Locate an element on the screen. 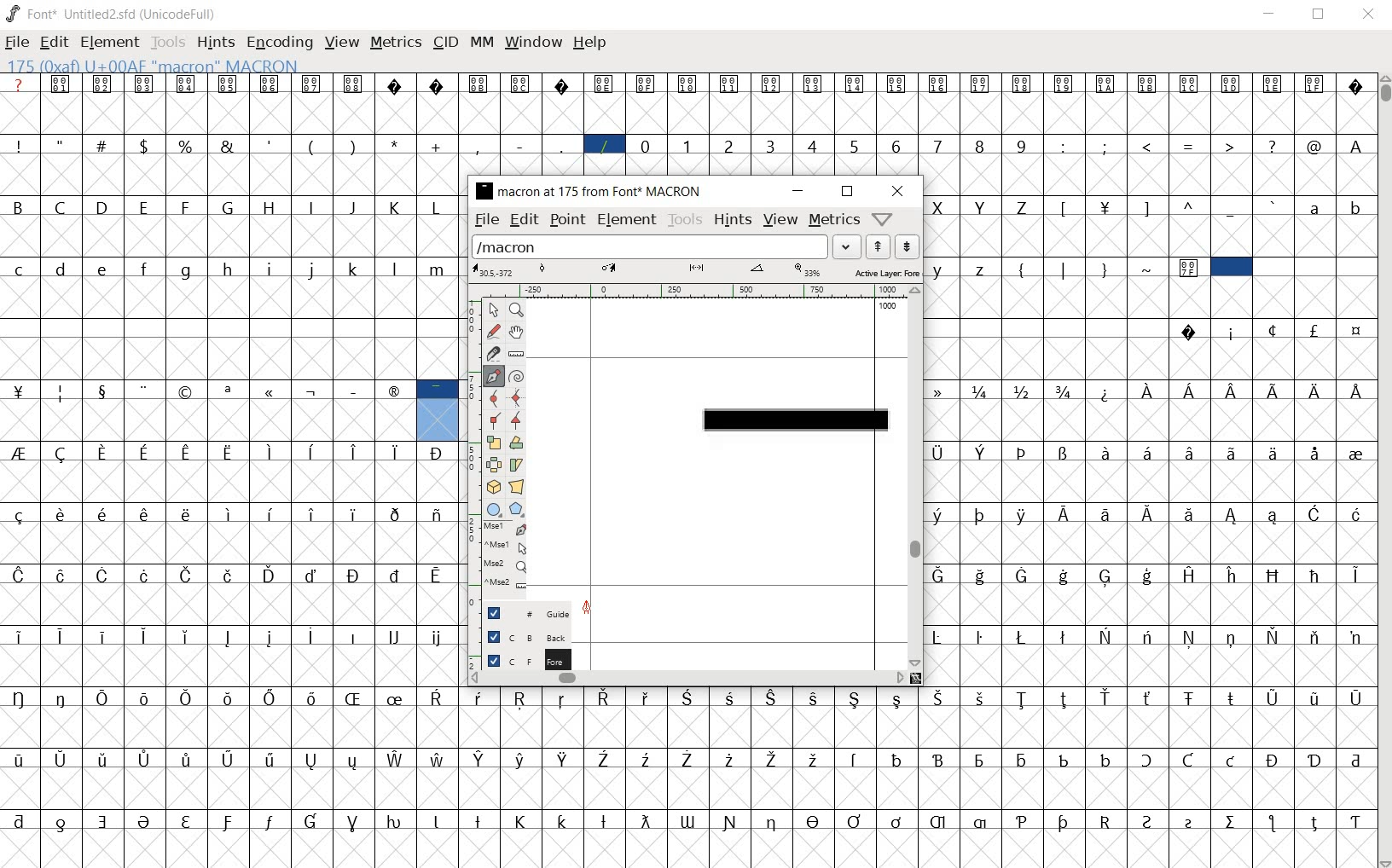  _ is located at coordinates (1232, 208).